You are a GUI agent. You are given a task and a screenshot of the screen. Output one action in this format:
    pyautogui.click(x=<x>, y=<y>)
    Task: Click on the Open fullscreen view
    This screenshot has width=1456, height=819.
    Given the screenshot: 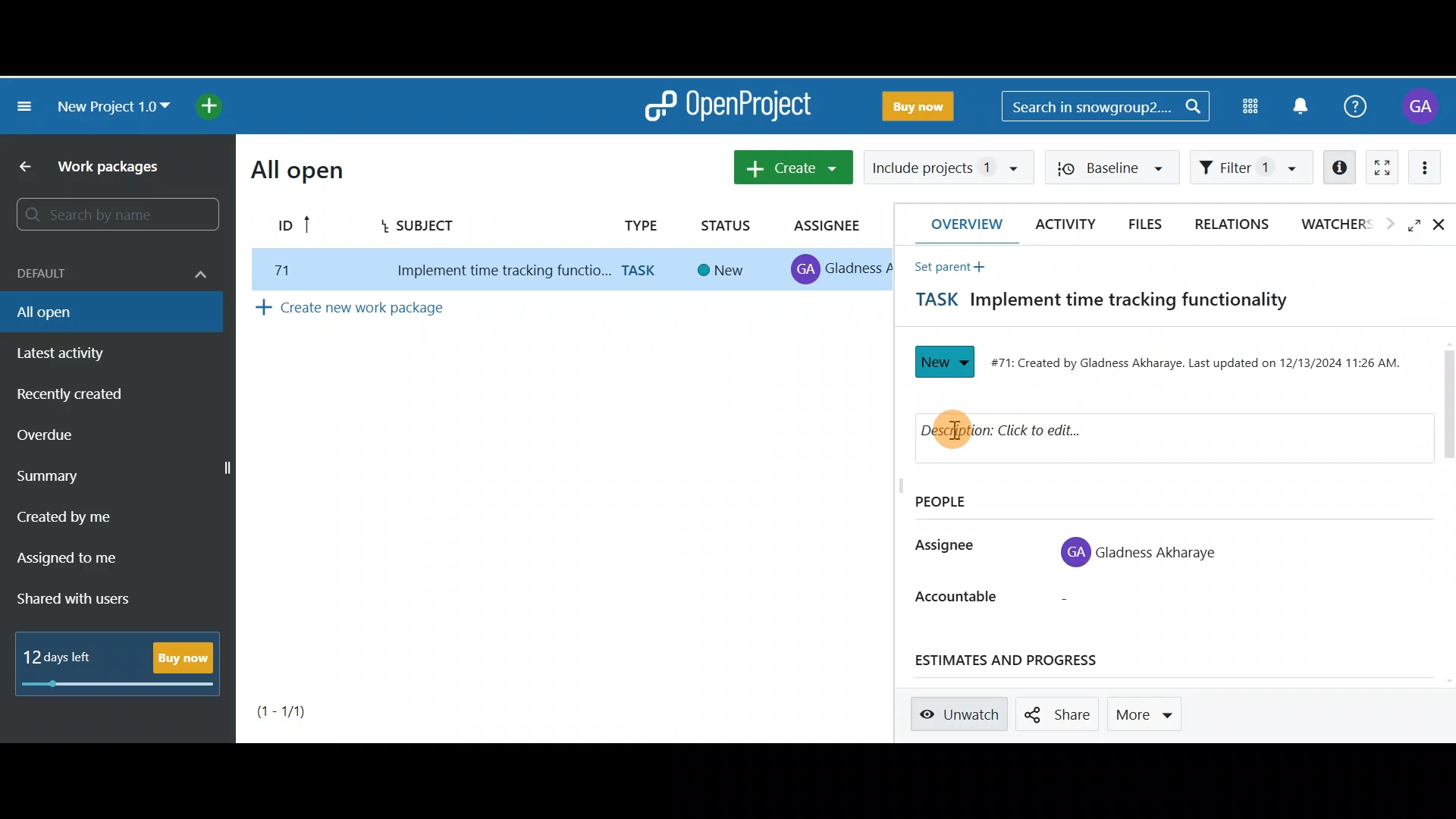 What is the action you would take?
    pyautogui.click(x=1416, y=227)
    